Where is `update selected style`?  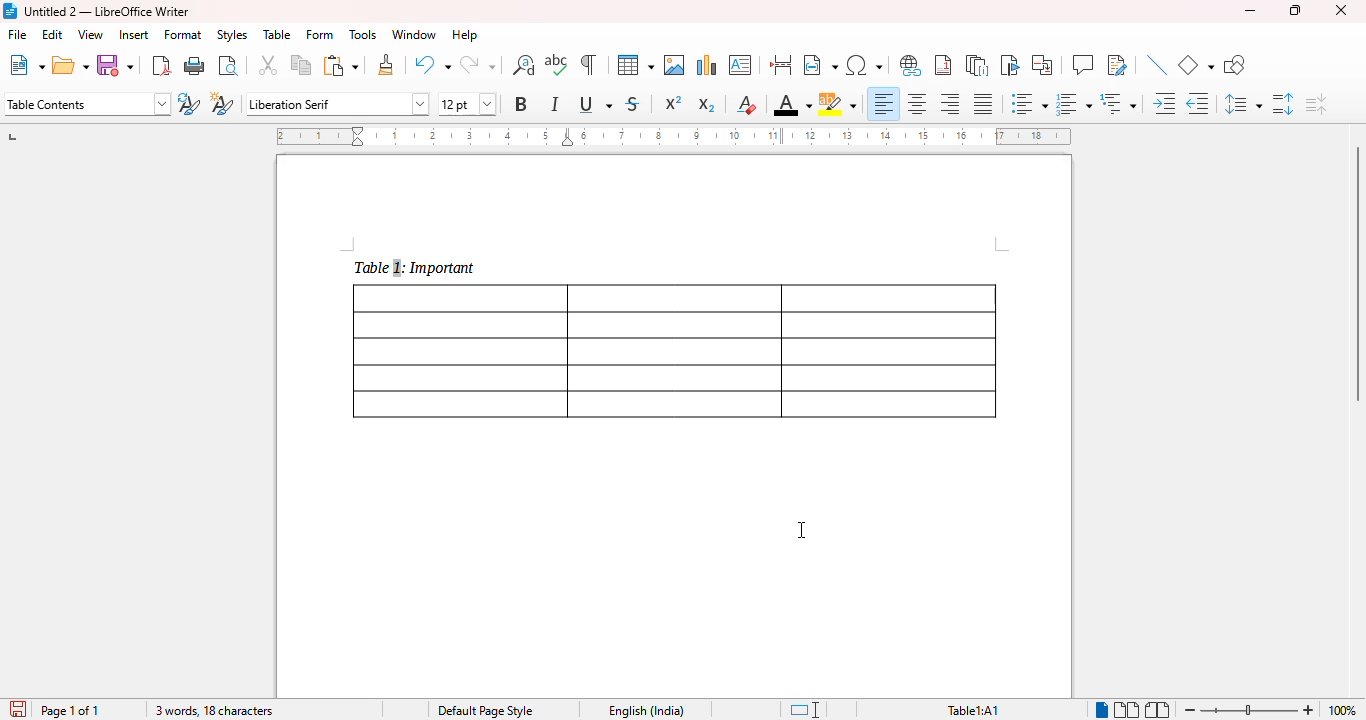
update selected style is located at coordinates (188, 103).